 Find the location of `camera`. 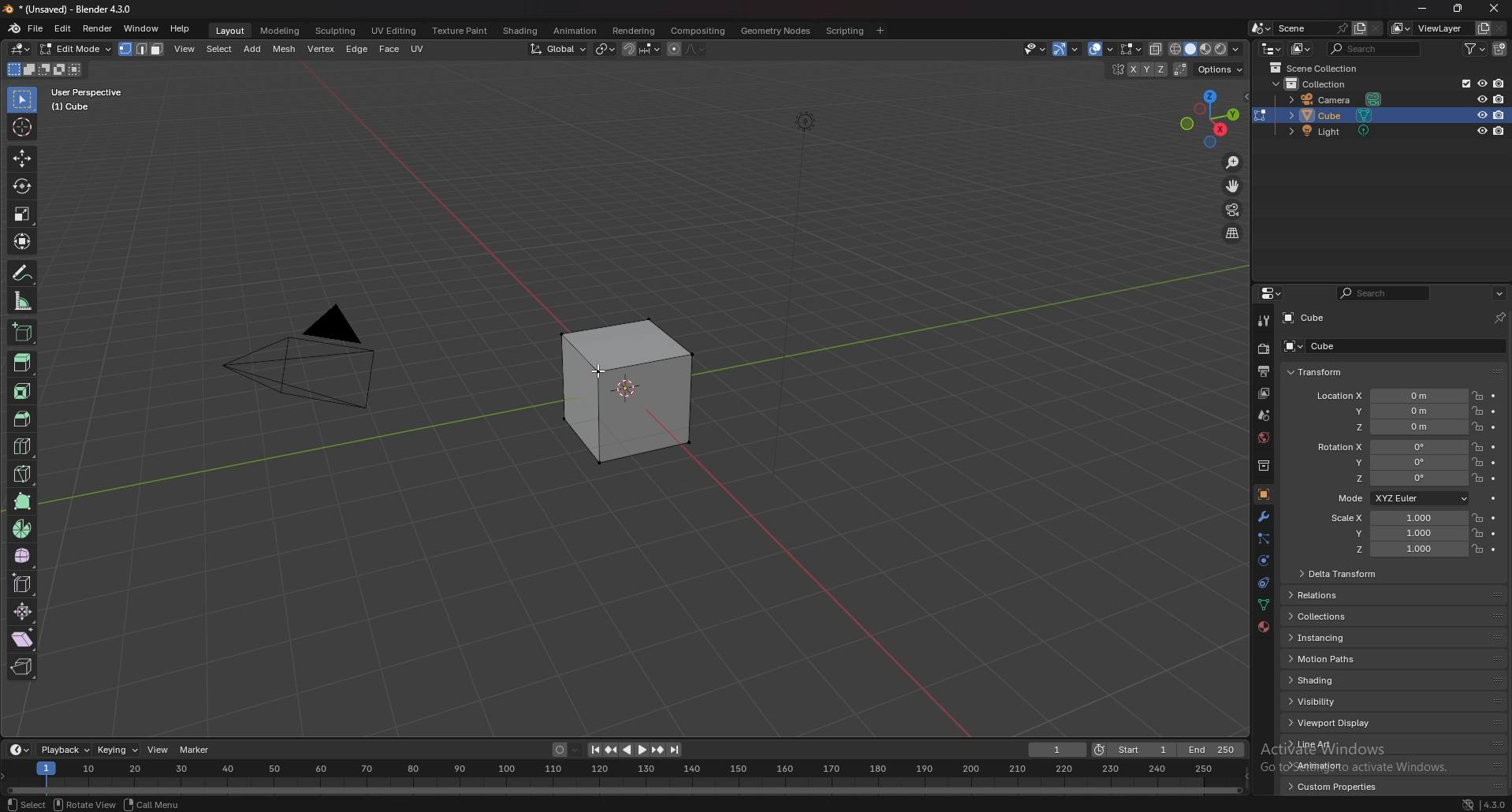

camera is located at coordinates (1336, 99).